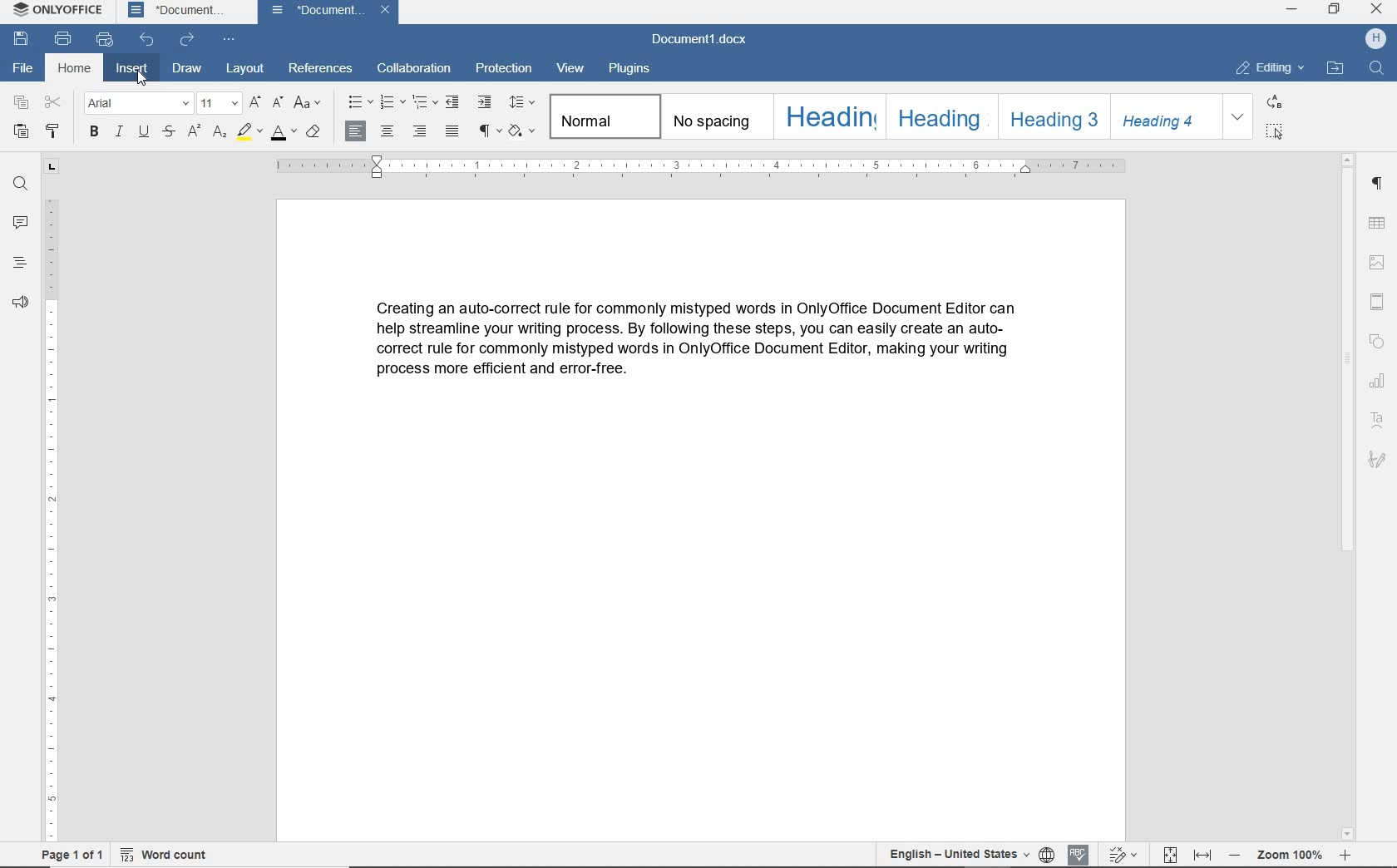  I want to click on underline, so click(141, 131).